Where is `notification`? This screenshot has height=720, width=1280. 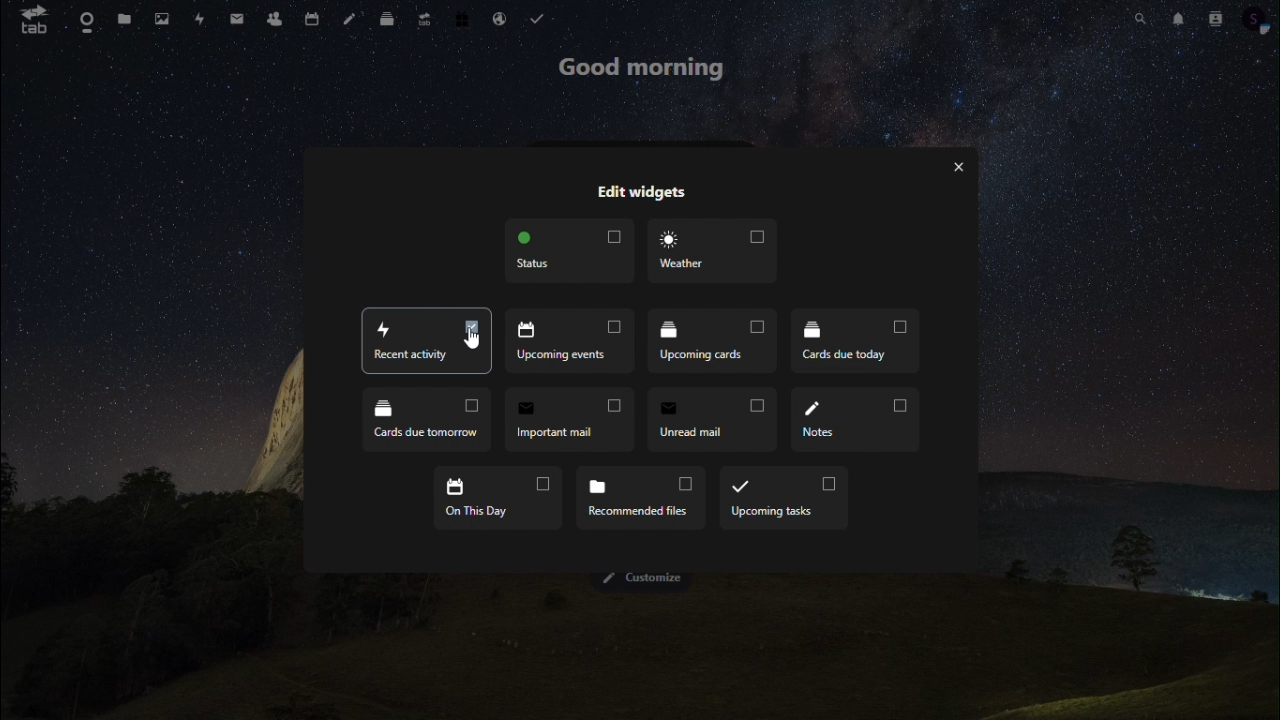
notification is located at coordinates (1176, 25).